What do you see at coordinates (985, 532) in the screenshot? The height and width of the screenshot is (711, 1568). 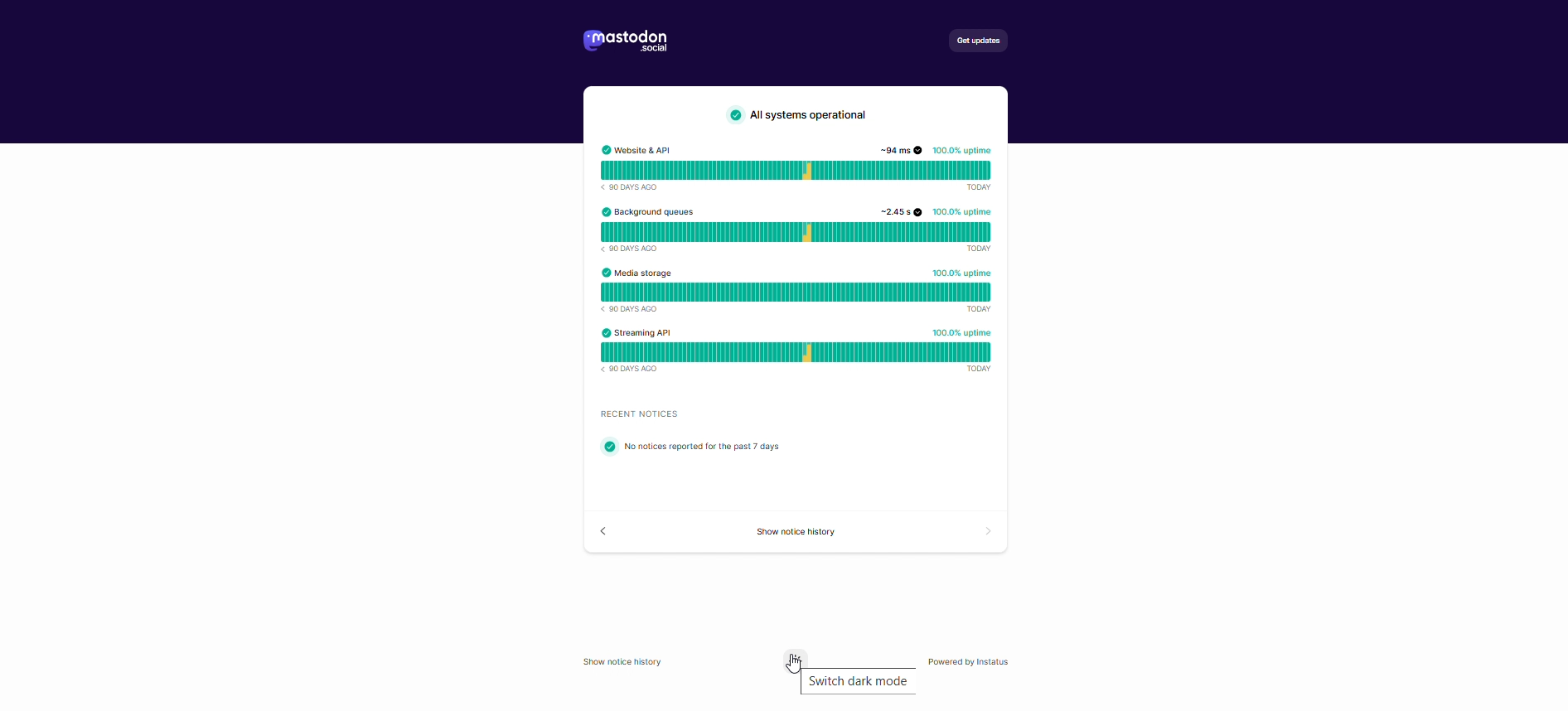 I see `forward` at bounding box center [985, 532].